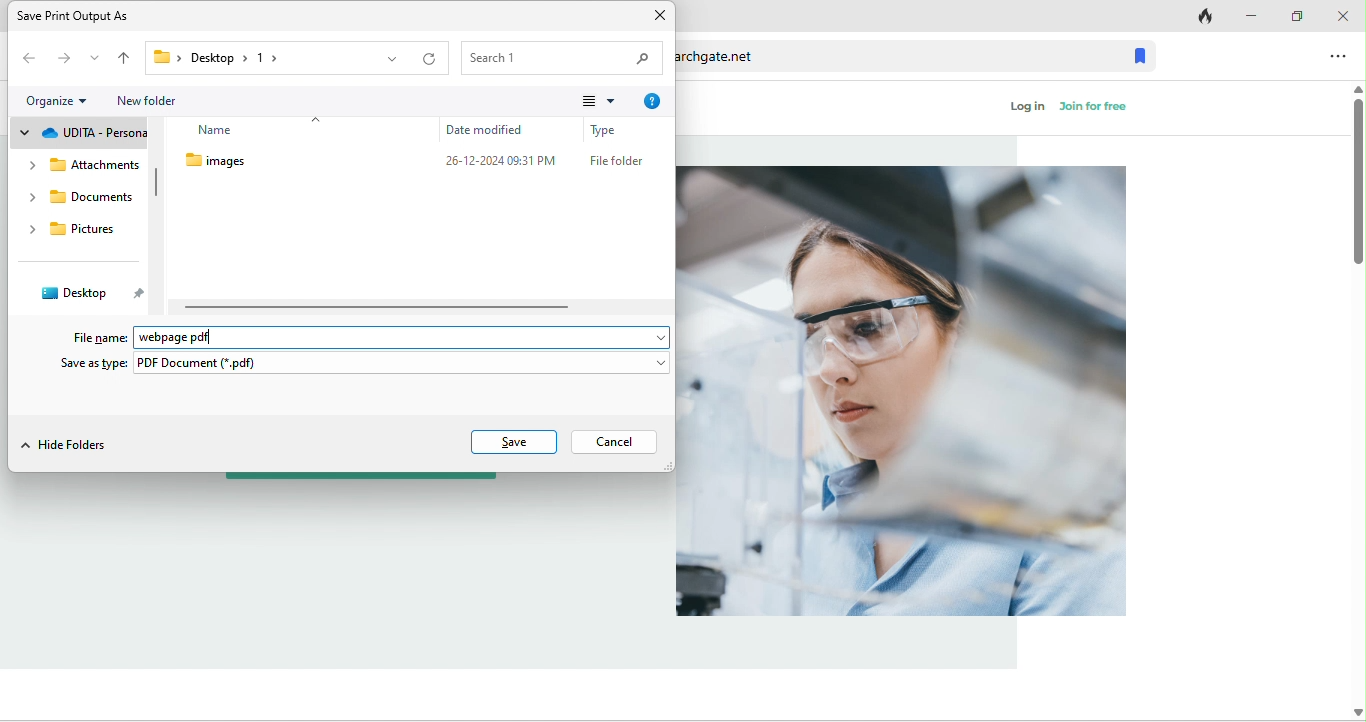 The width and height of the screenshot is (1366, 722). What do you see at coordinates (160, 100) in the screenshot?
I see `new folder` at bounding box center [160, 100].